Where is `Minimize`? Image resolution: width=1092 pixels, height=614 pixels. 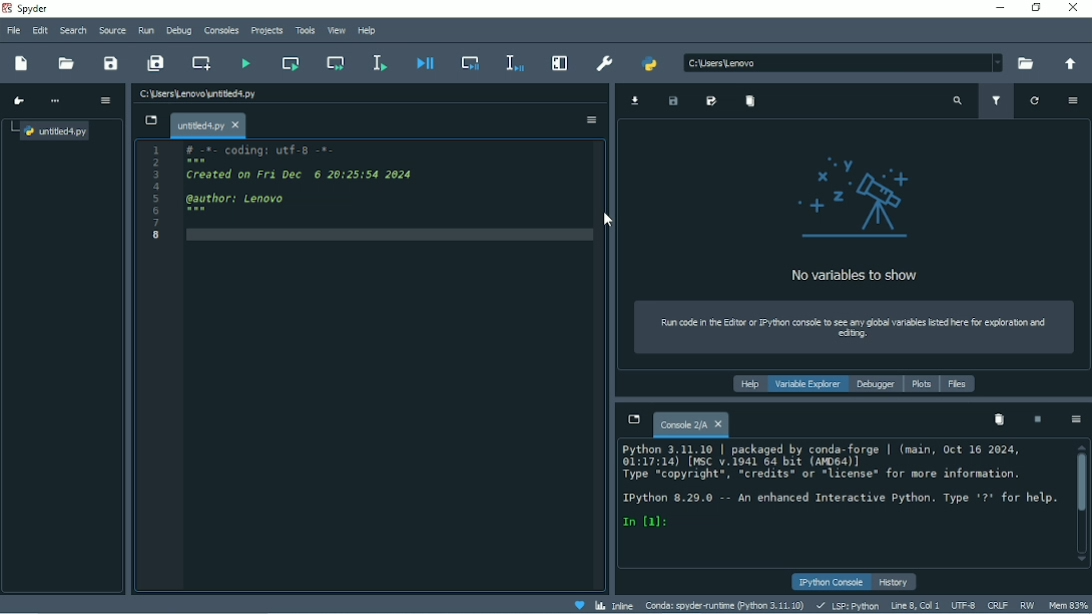
Minimize is located at coordinates (999, 8).